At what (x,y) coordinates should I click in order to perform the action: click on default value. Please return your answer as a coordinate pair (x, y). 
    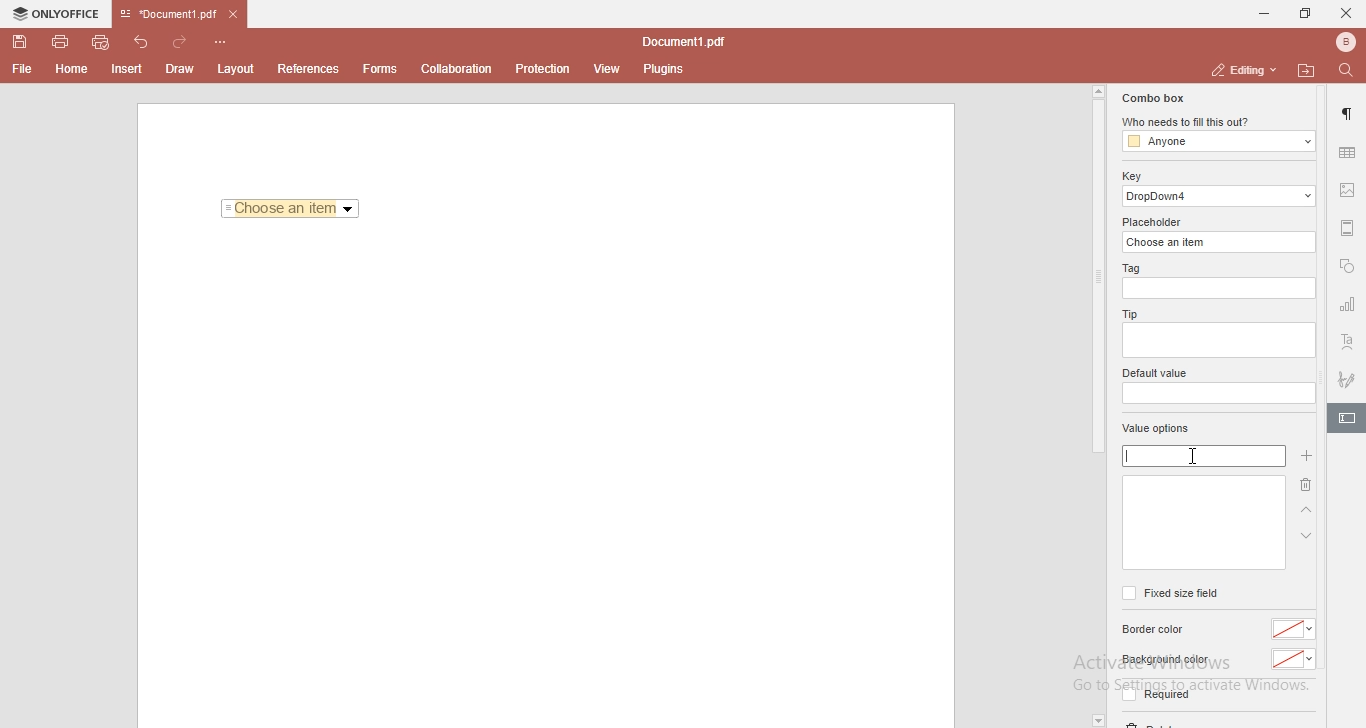
    Looking at the image, I should click on (1157, 374).